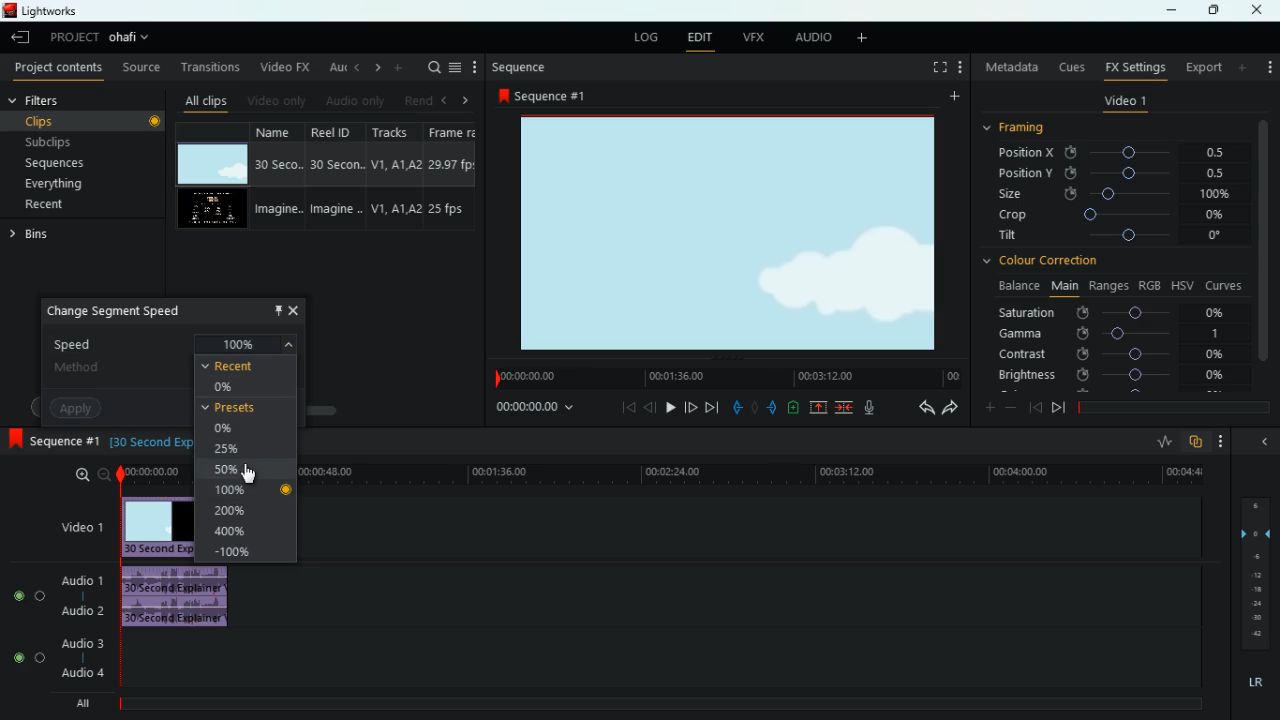 The image size is (1280, 720). What do you see at coordinates (206, 67) in the screenshot?
I see `transitions` at bounding box center [206, 67].